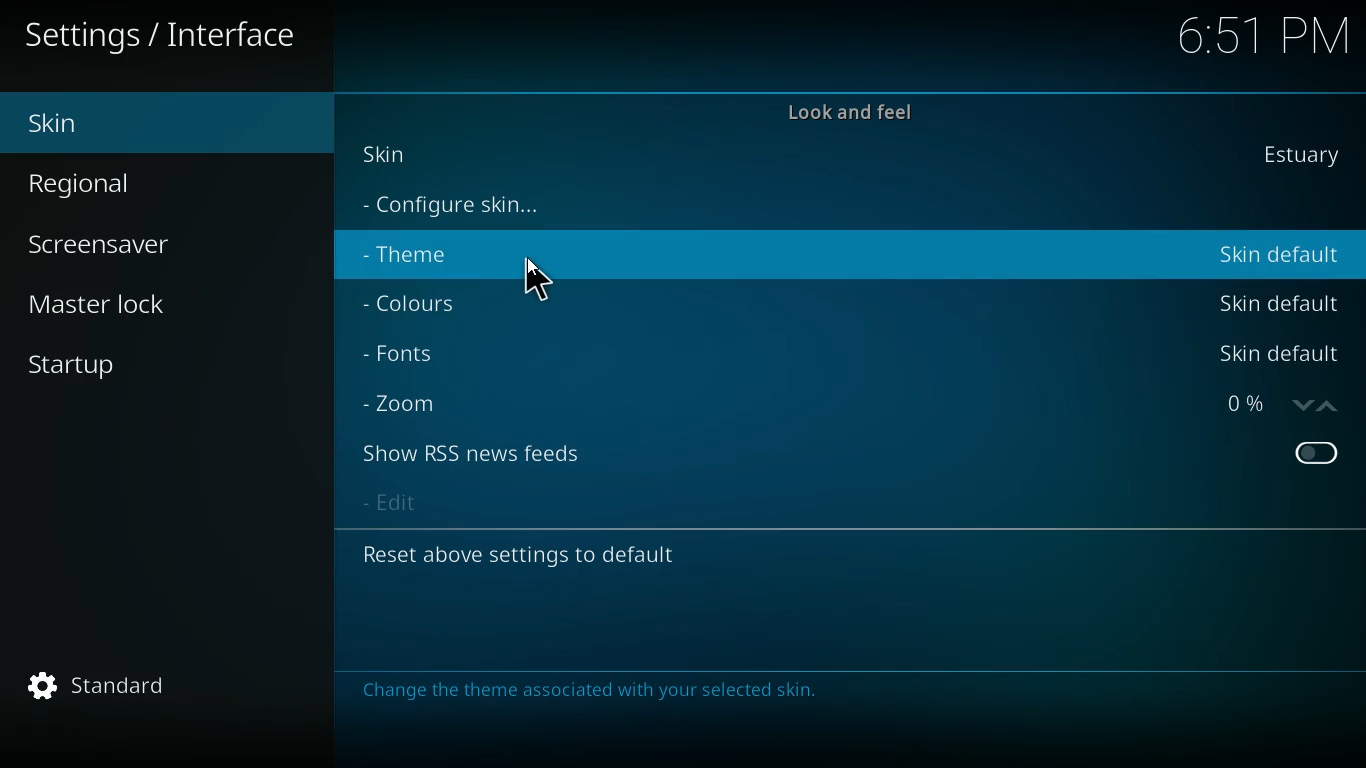  What do you see at coordinates (394, 505) in the screenshot?
I see `edit` at bounding box center [394, 505].